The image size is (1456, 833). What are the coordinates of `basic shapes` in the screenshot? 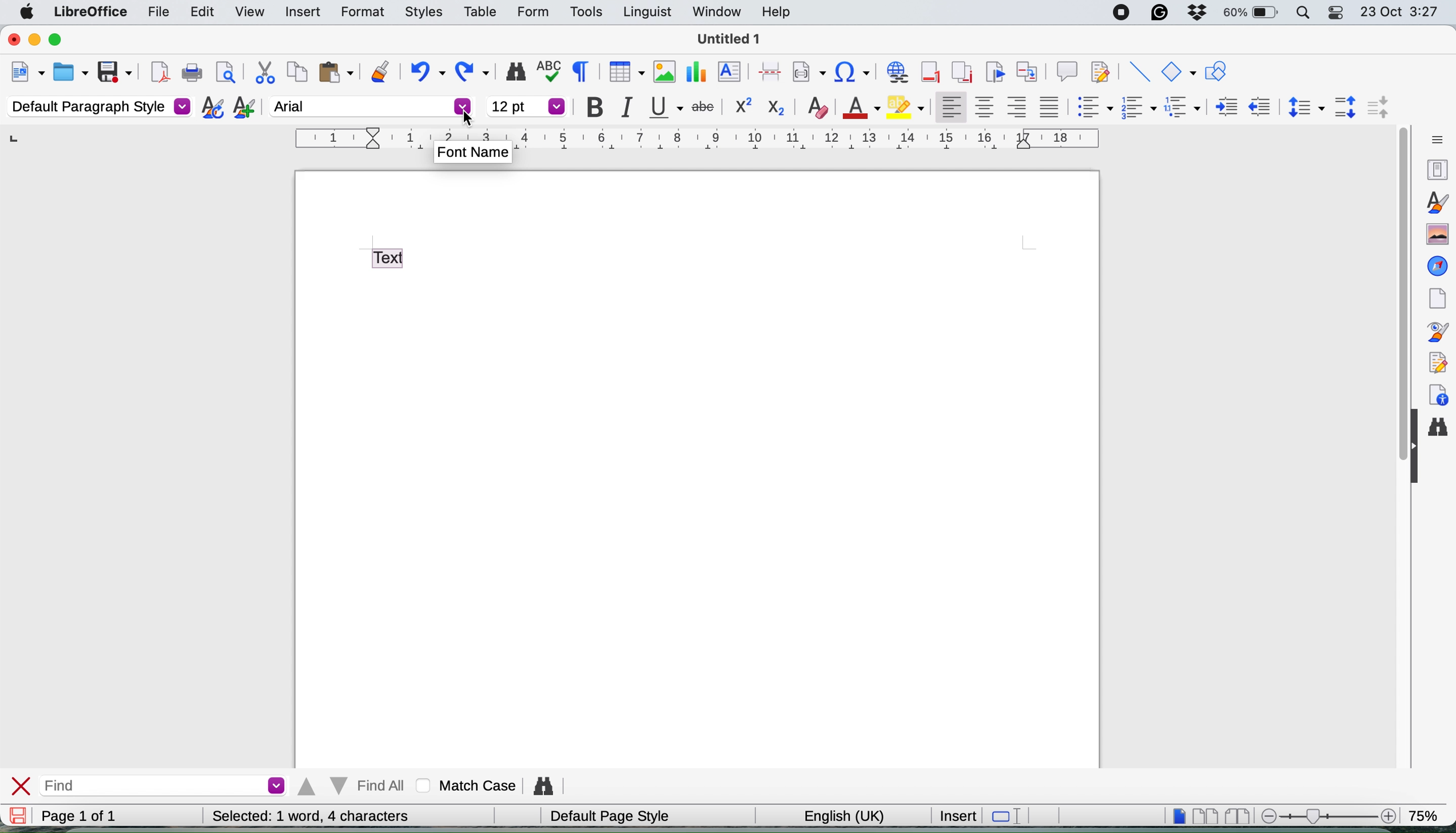 It's located at (1179, 74).